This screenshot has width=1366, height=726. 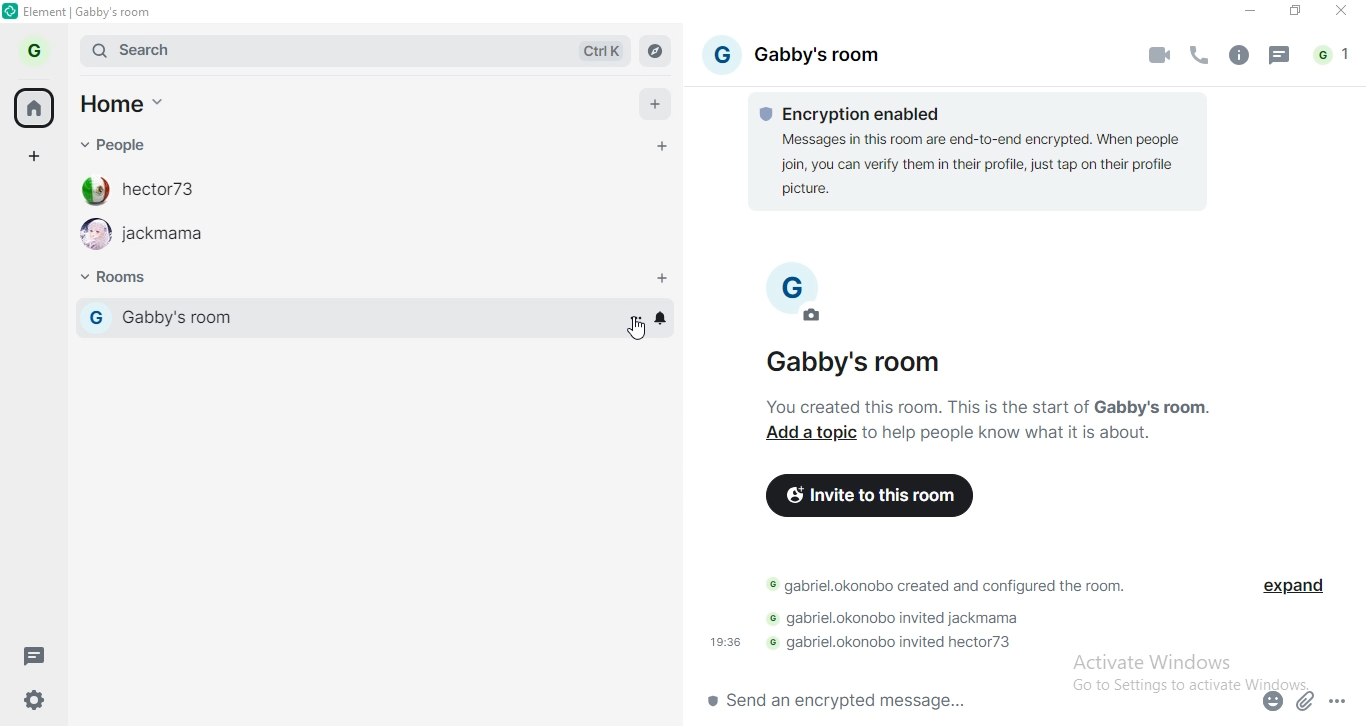 What do you see at coordinates (654, 104) in the screenshot?
I see `add` at bounding box center [654, 104].